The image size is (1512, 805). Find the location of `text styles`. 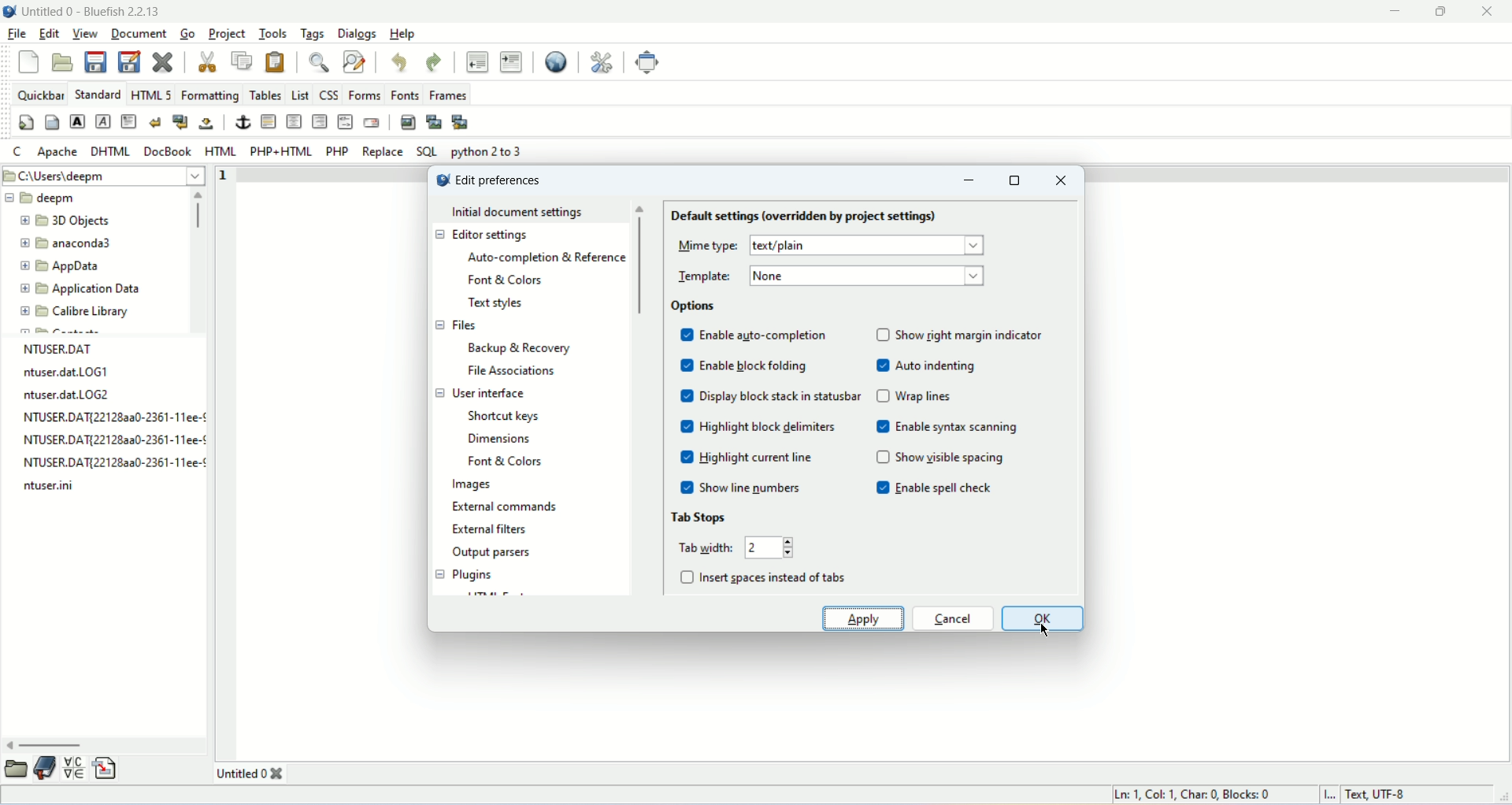

text styles is located at coordinates (498, 306).